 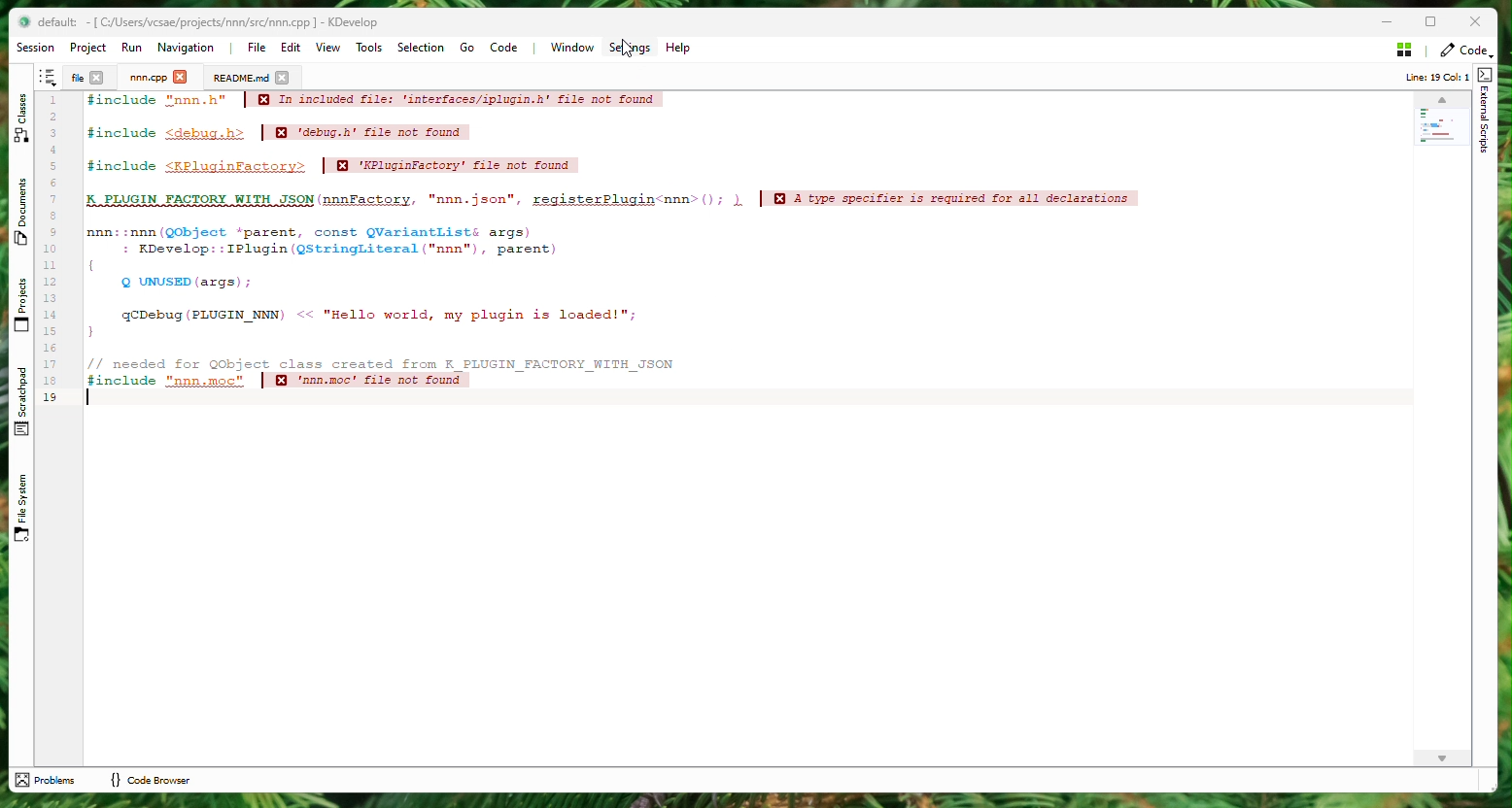 What do you see at coordinates (421, 47) in the screenshot?
I see `Selection` at bounding box center [421, 47].